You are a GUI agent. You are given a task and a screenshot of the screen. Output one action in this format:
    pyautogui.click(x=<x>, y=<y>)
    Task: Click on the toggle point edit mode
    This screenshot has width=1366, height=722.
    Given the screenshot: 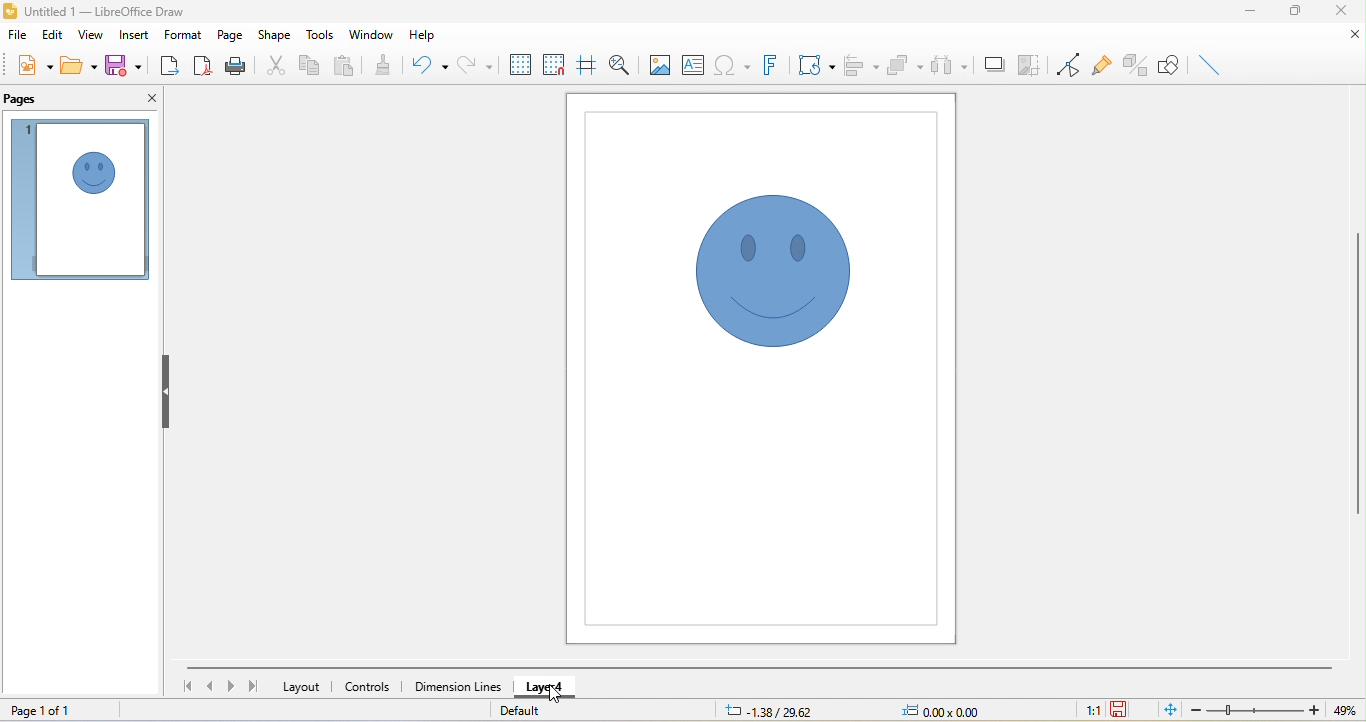 What is the action you would take?
    pyautogui.click(x=1068, y=66)
    